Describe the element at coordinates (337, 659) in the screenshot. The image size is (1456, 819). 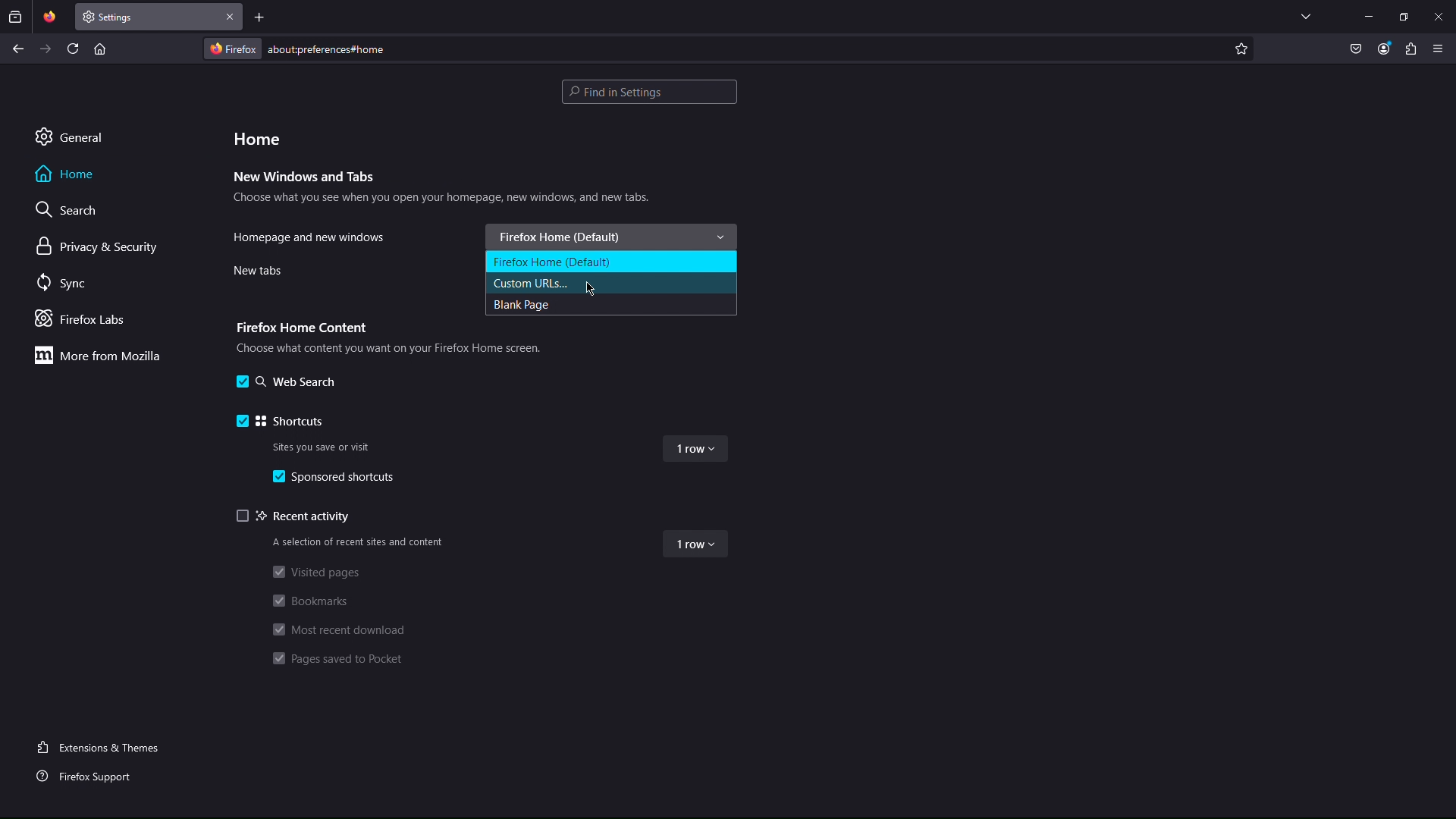
I see `Pages saved to Pocket` at that location.